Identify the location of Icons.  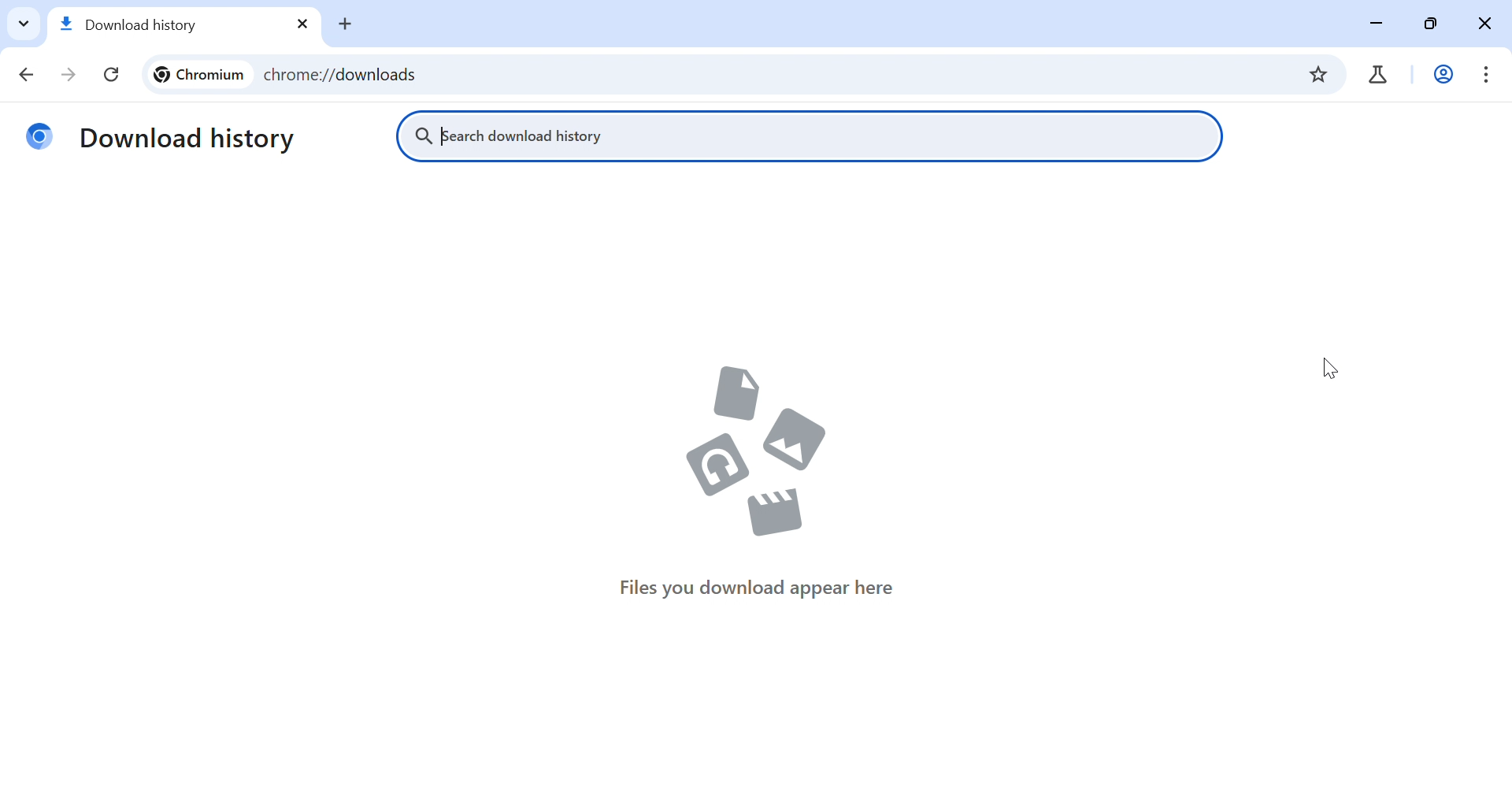
(753, 454).